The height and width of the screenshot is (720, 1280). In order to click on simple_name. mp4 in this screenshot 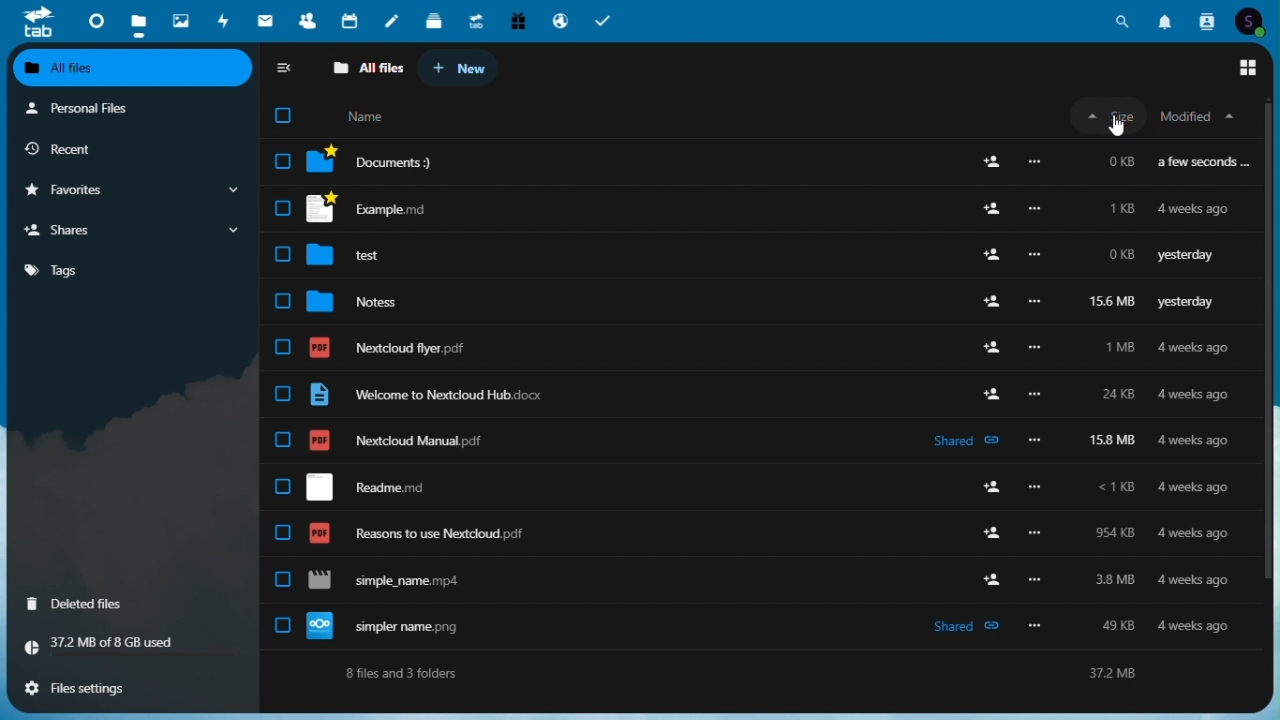, I will do `click(746, 582)`.